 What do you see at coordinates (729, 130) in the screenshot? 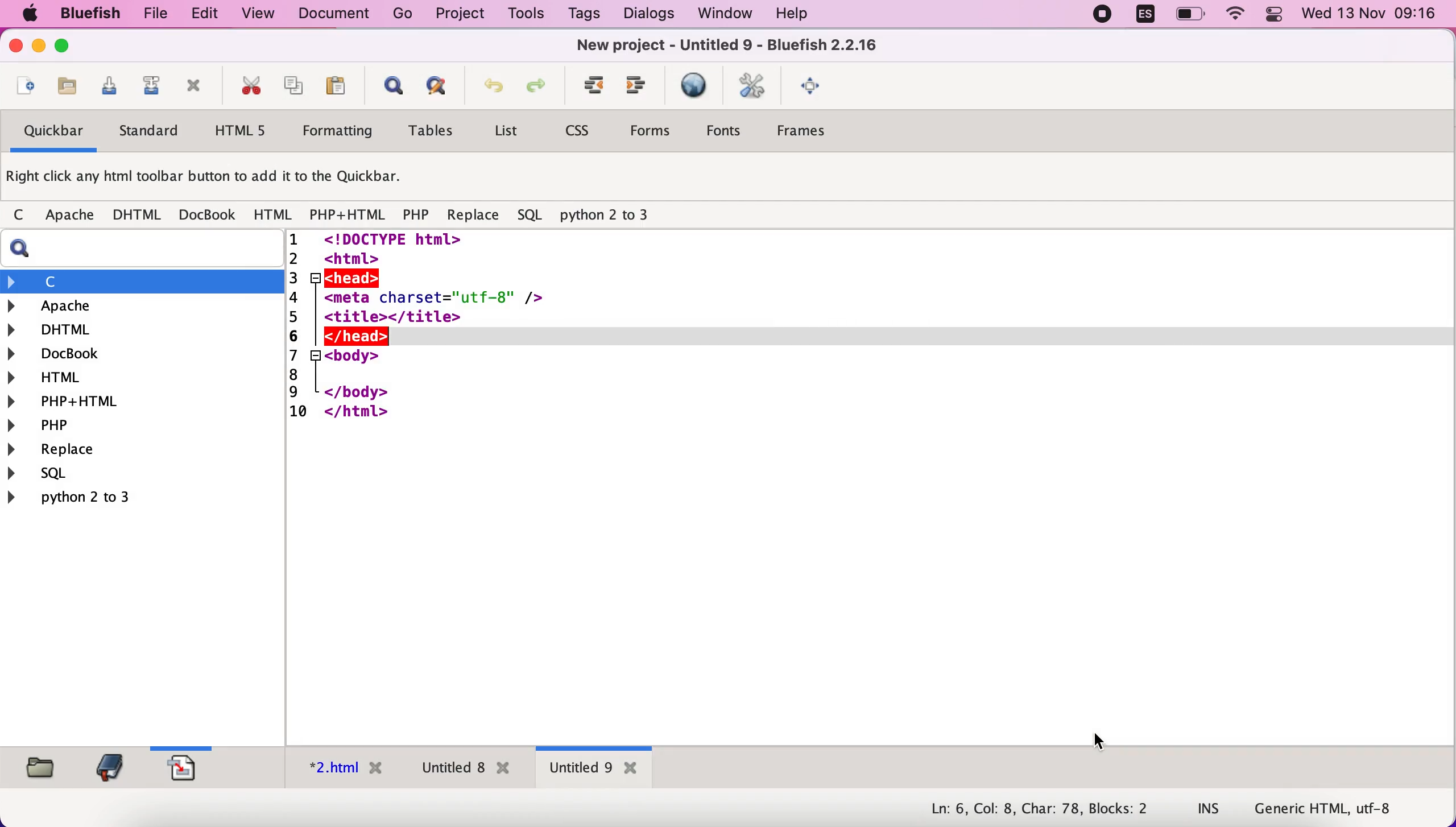
I see `fonts` at bounding box center [729, 130].